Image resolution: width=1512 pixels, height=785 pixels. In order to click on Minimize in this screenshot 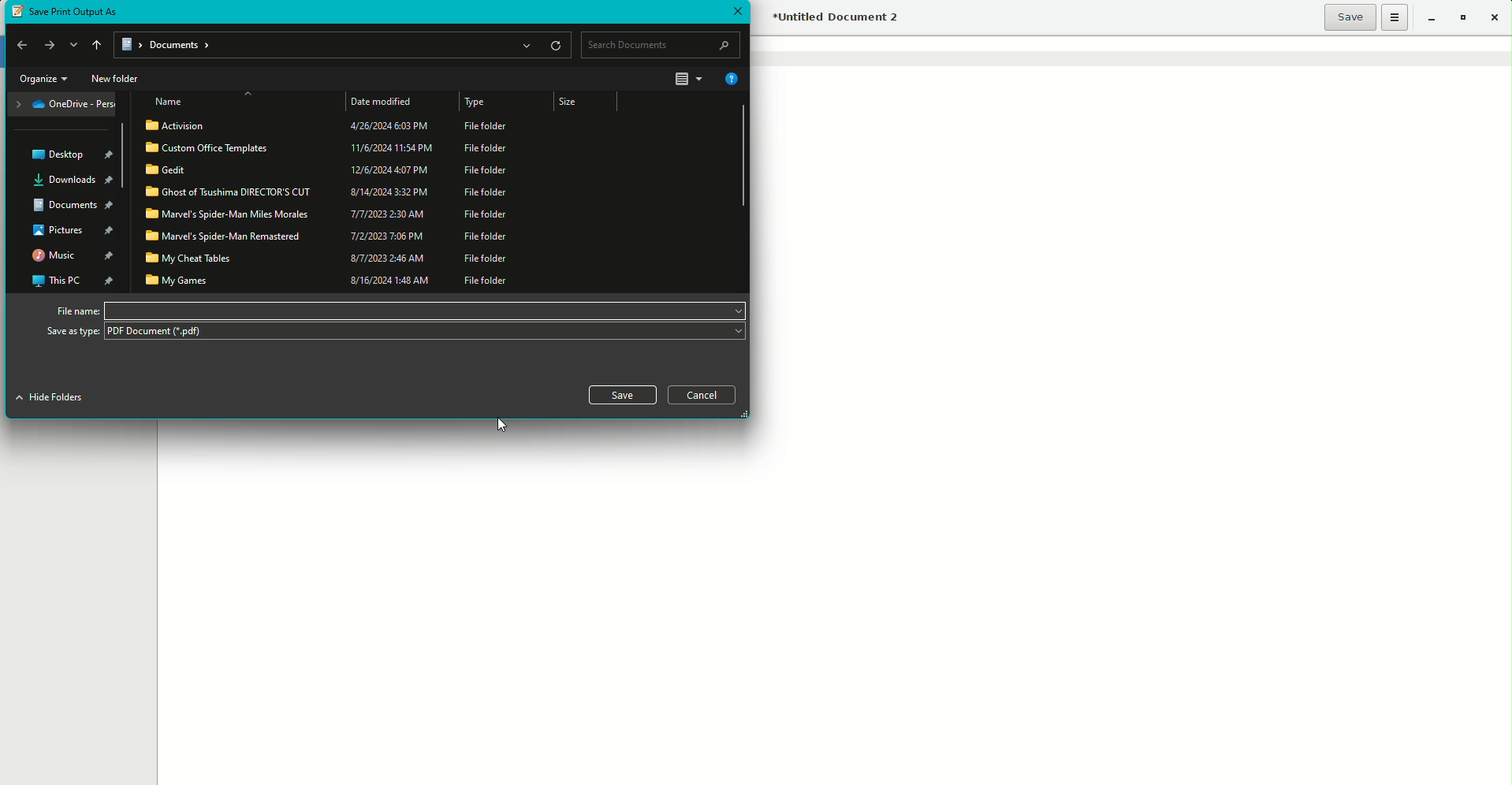, I will do `click(1428, 17)`.